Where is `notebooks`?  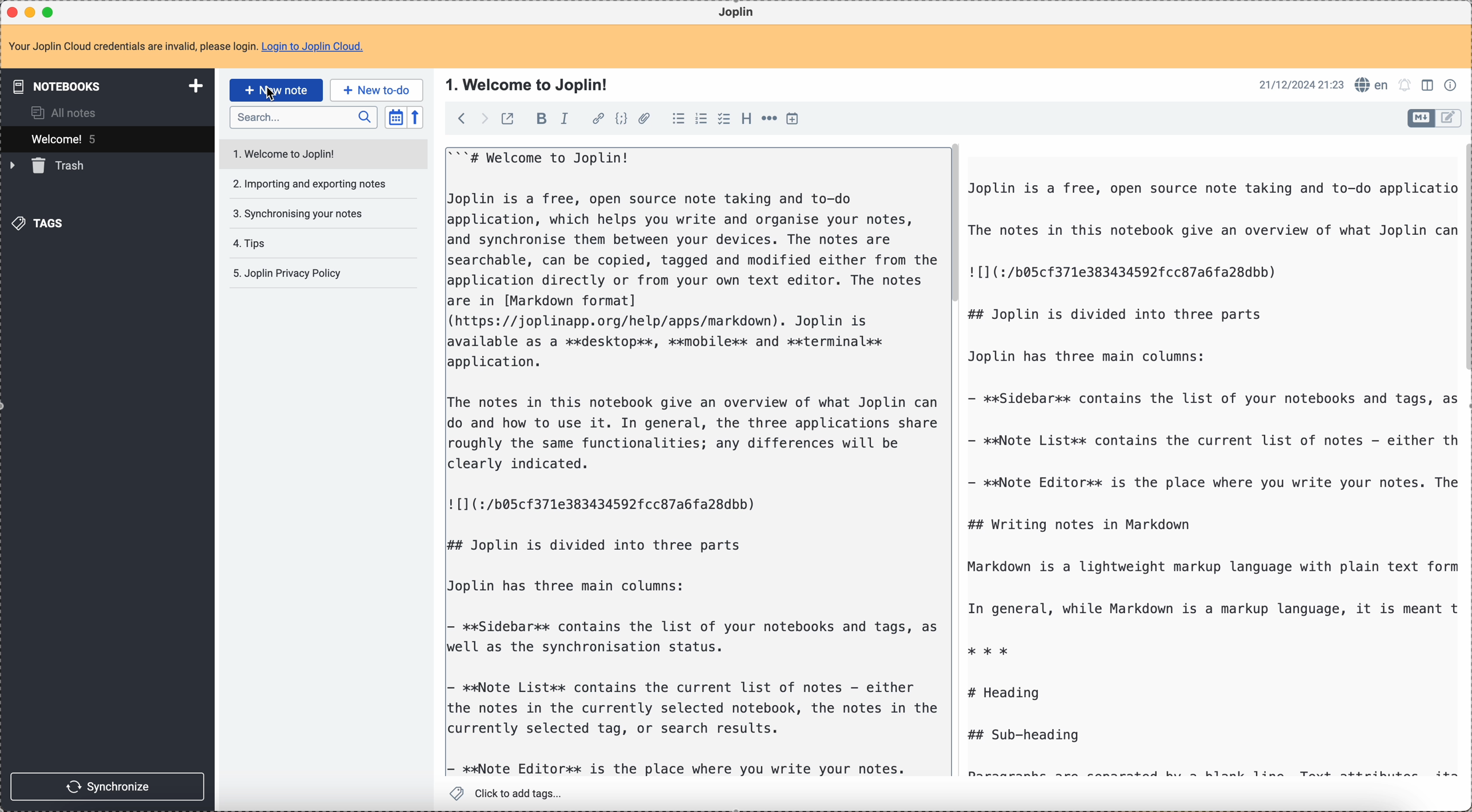
notebooks is located at coordinates (105, 85).